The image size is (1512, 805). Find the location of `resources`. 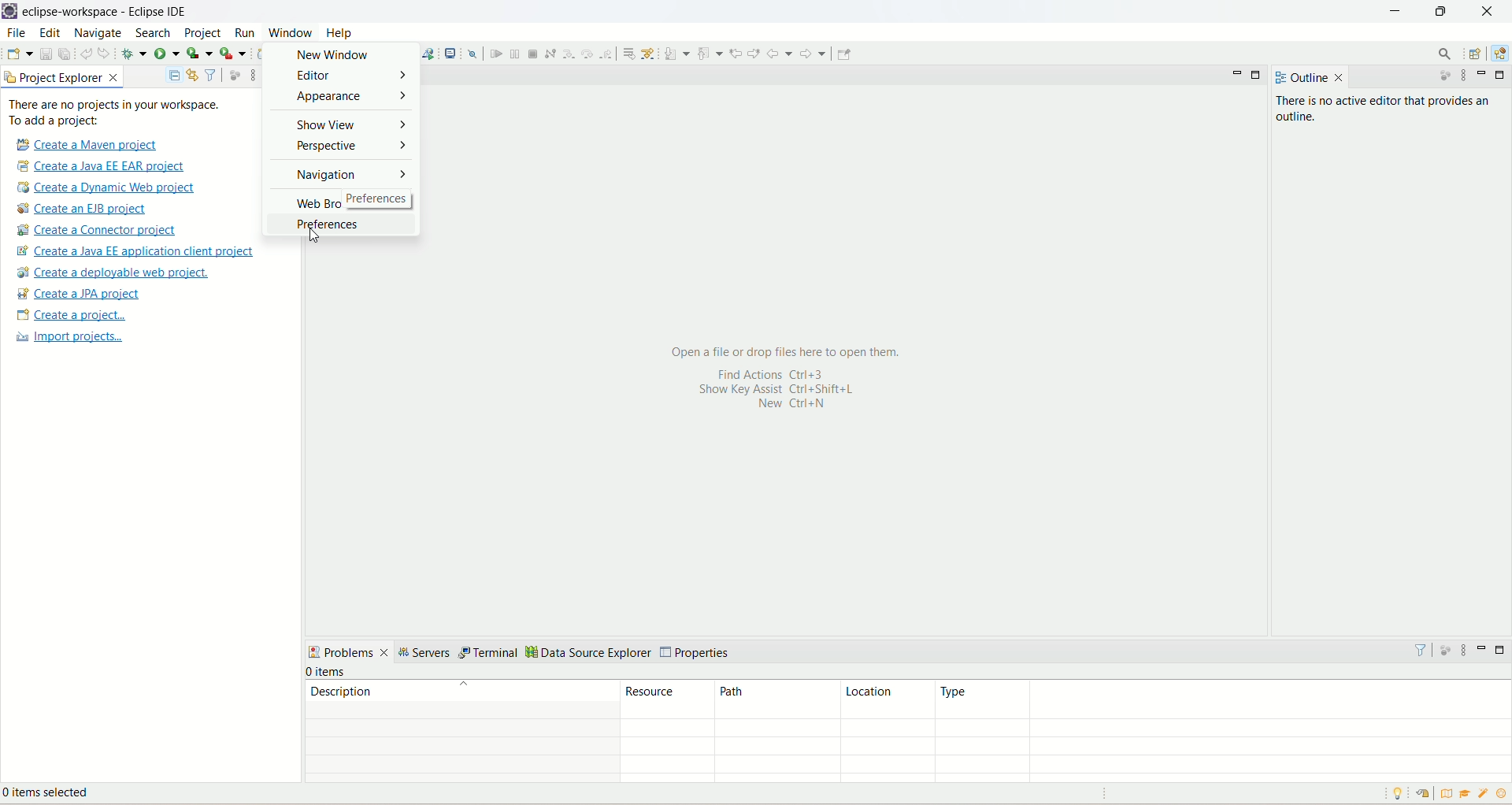

resources is located at coordinates (668, 699).